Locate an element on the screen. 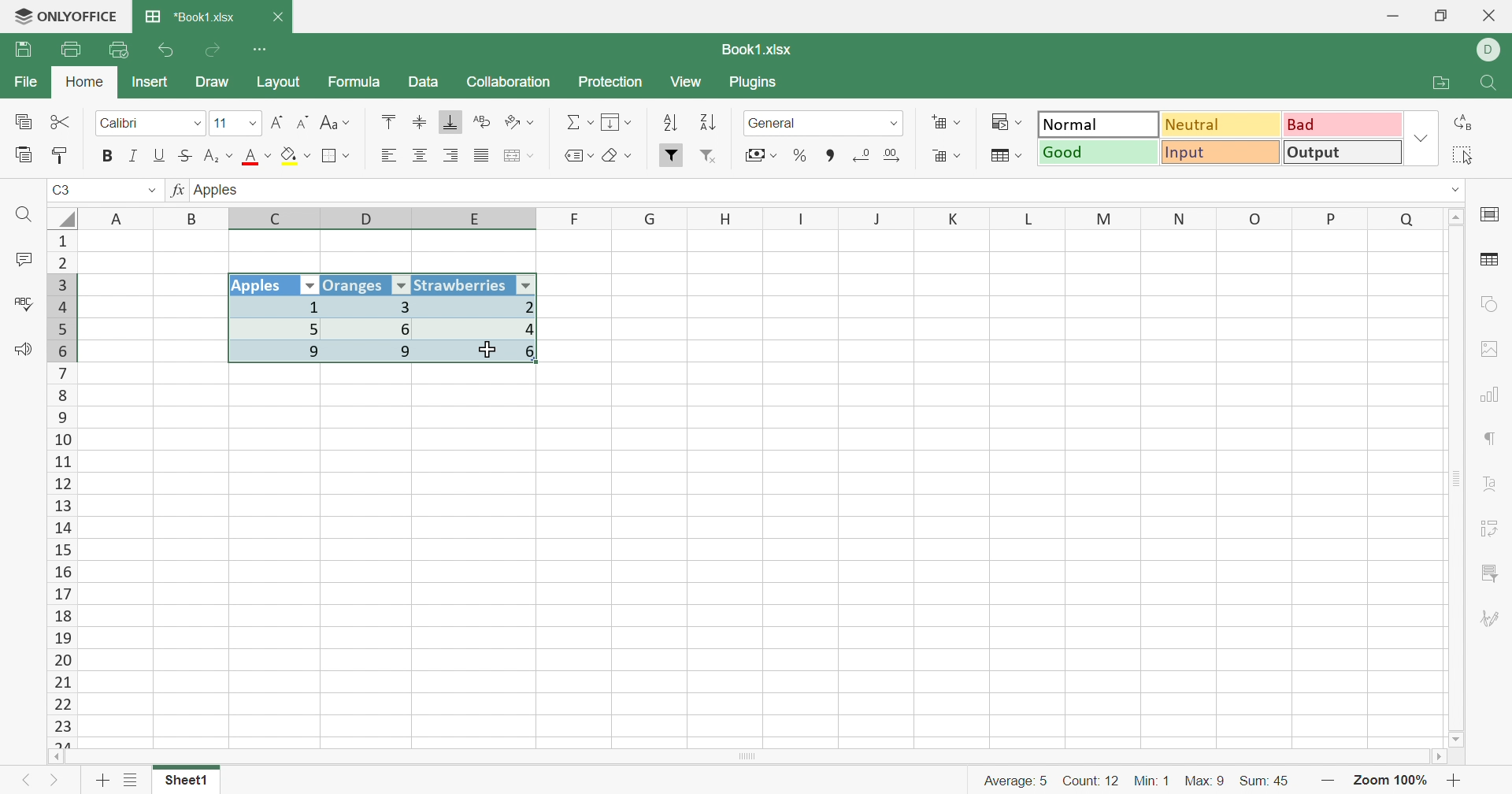 The width and height of the screenshot is (1512, 794). 2 is located at coordinates (484, 306).